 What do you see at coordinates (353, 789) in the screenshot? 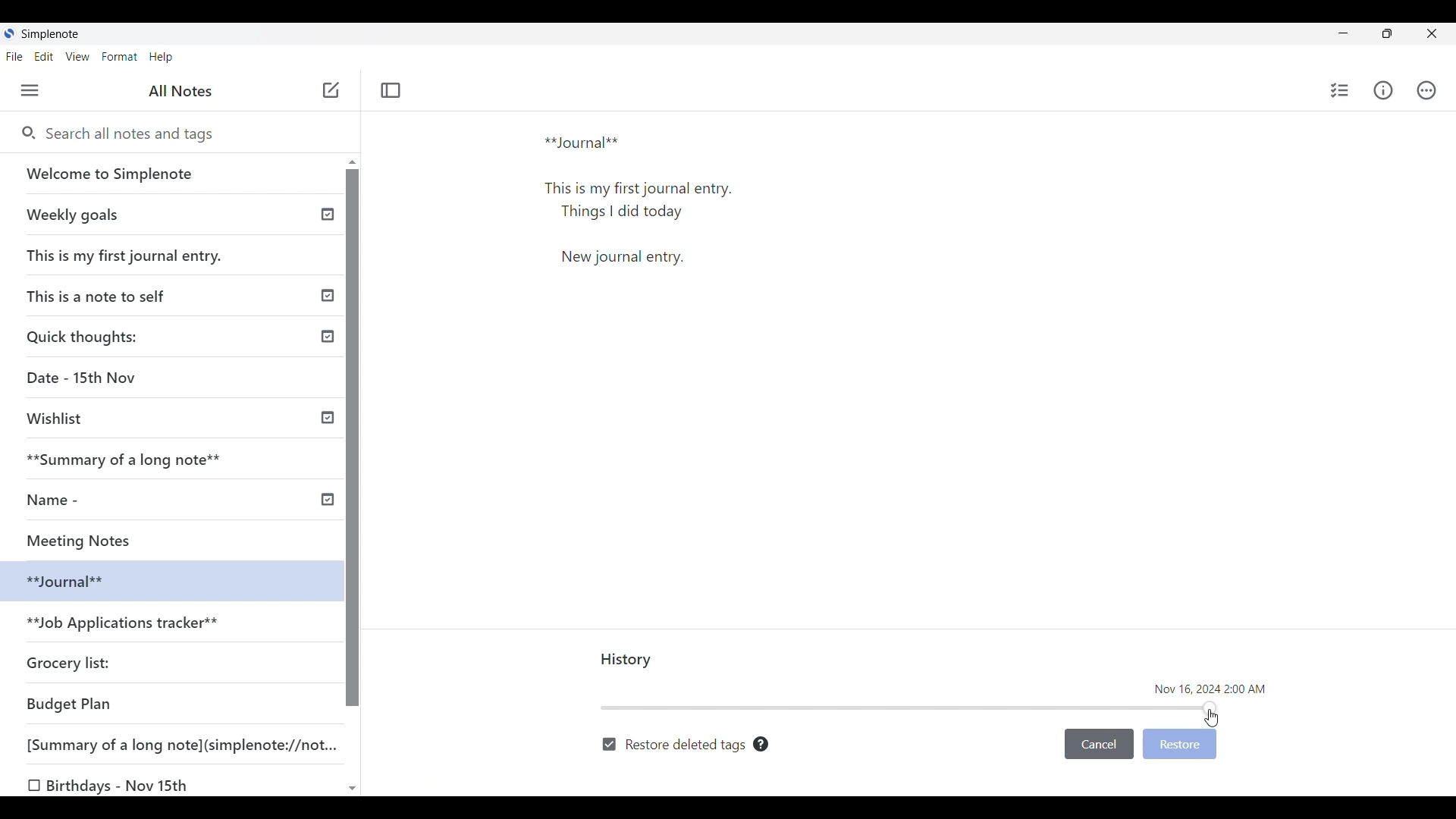
I see `Quick slide to bottom` at bounding box center [353, 789].